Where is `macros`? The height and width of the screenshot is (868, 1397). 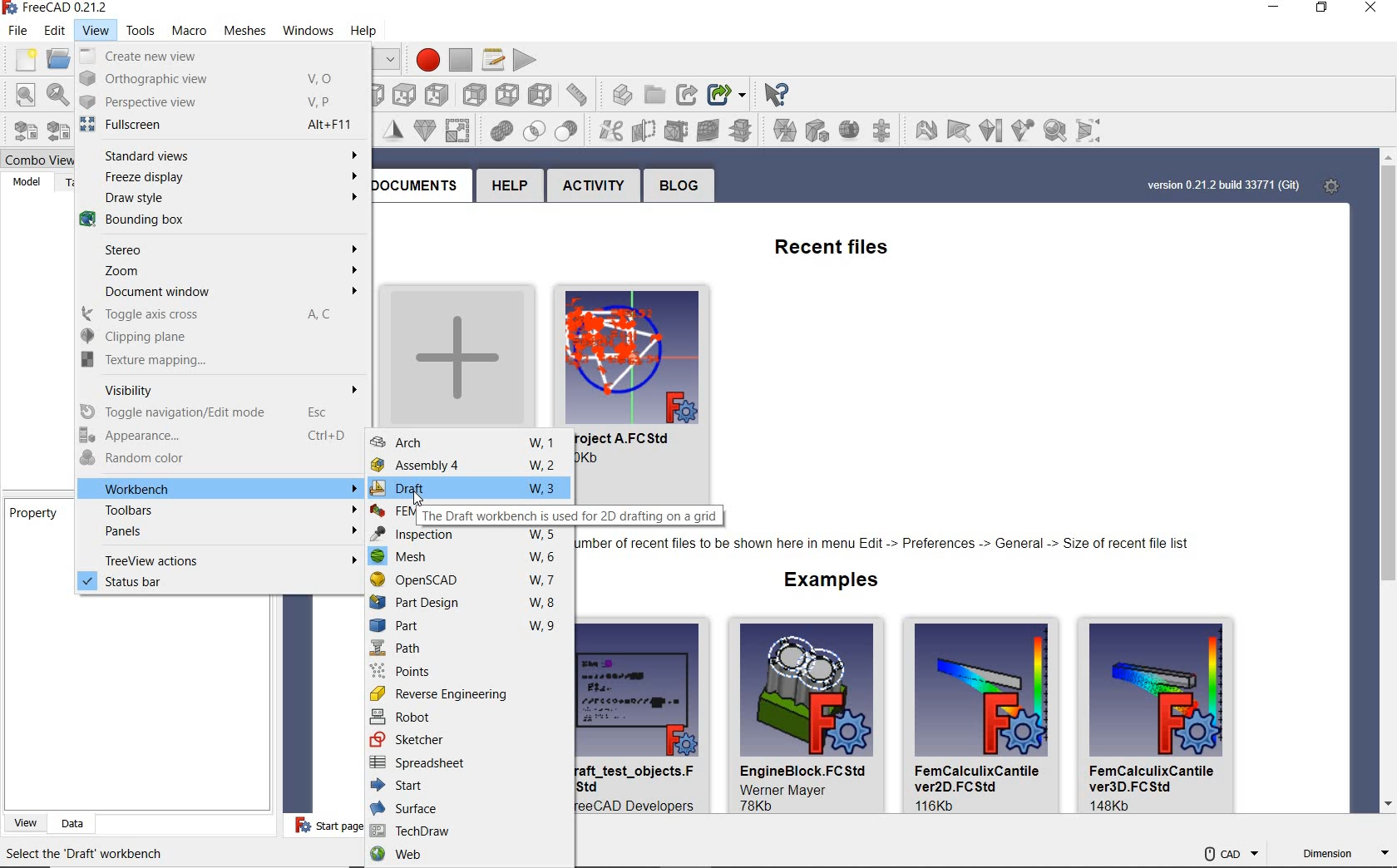
macros is located at coordinates (490, 57).